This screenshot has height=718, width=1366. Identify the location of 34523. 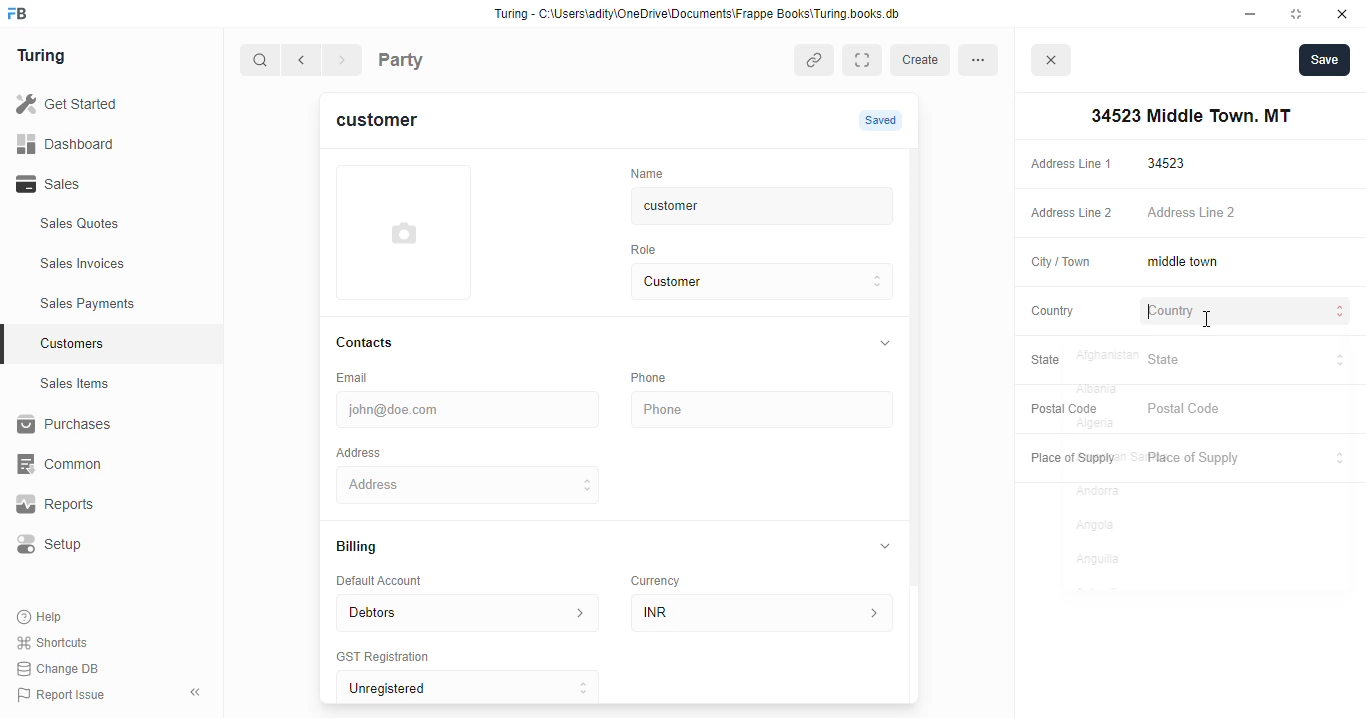
(1249, 163).